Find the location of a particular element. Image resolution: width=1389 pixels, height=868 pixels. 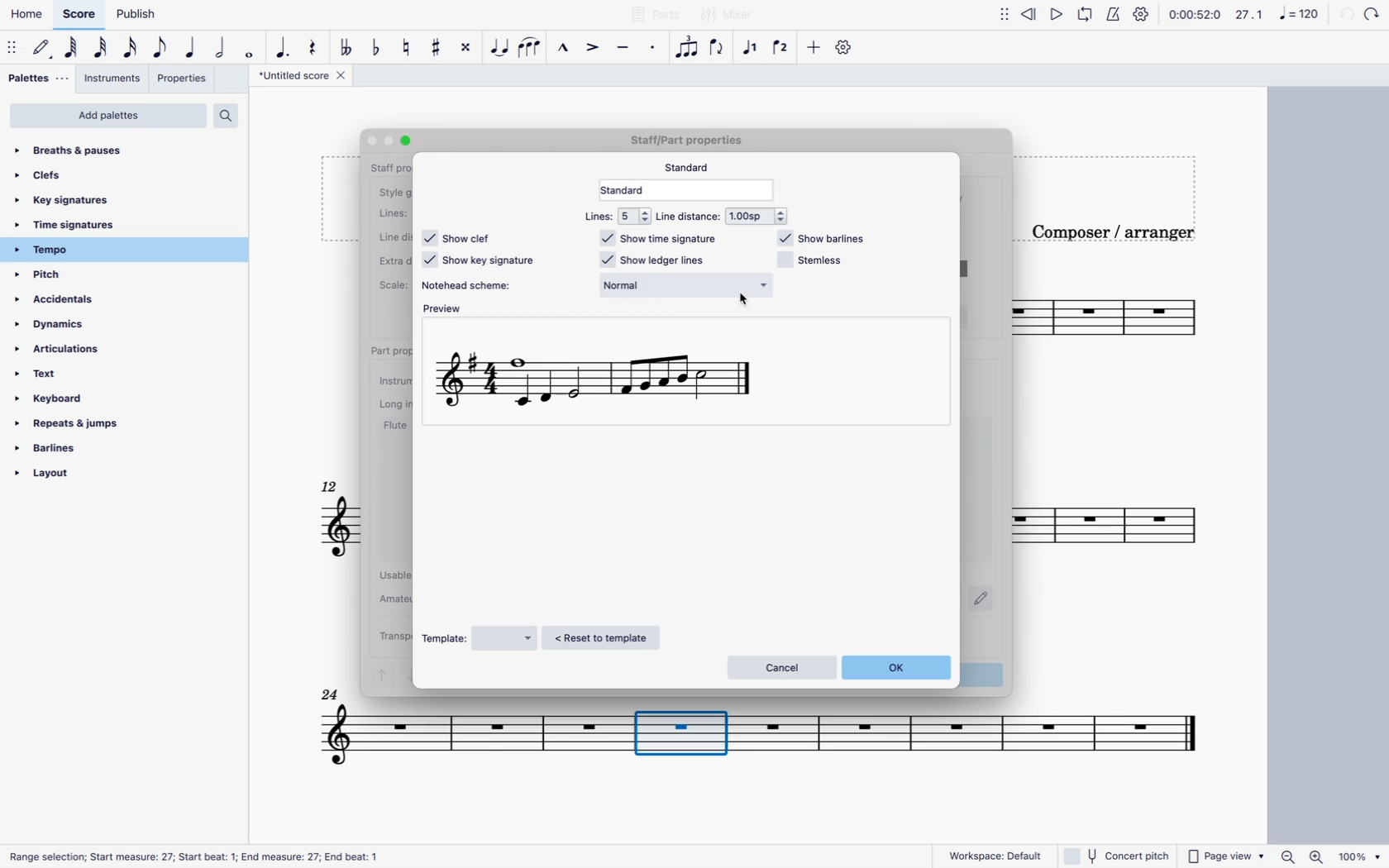

text is located at coordinates (69, 374).